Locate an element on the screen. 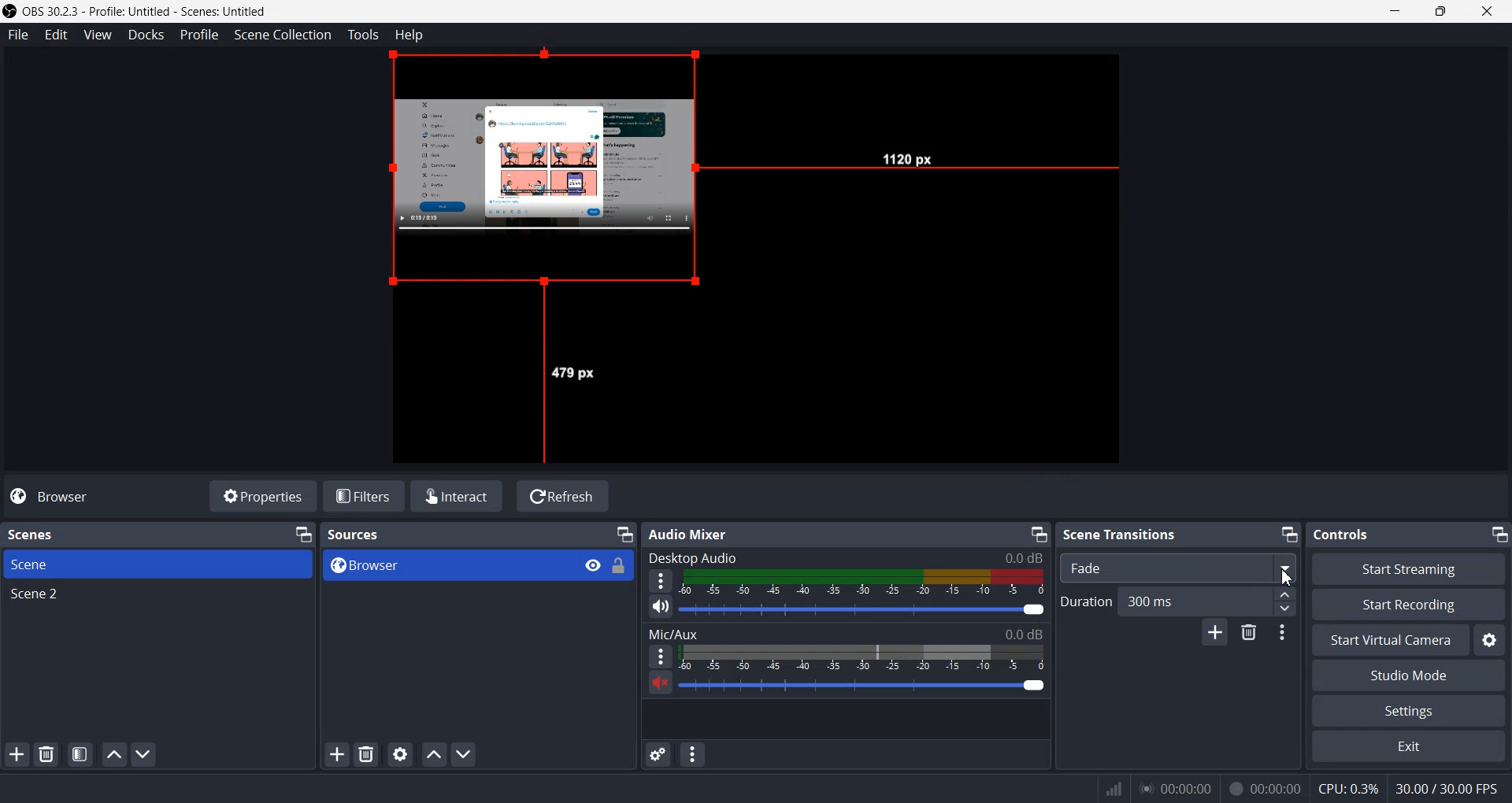 Image resolution: width=1512 pixels, height=803 pixels.  is located at coordinates (574, 373).